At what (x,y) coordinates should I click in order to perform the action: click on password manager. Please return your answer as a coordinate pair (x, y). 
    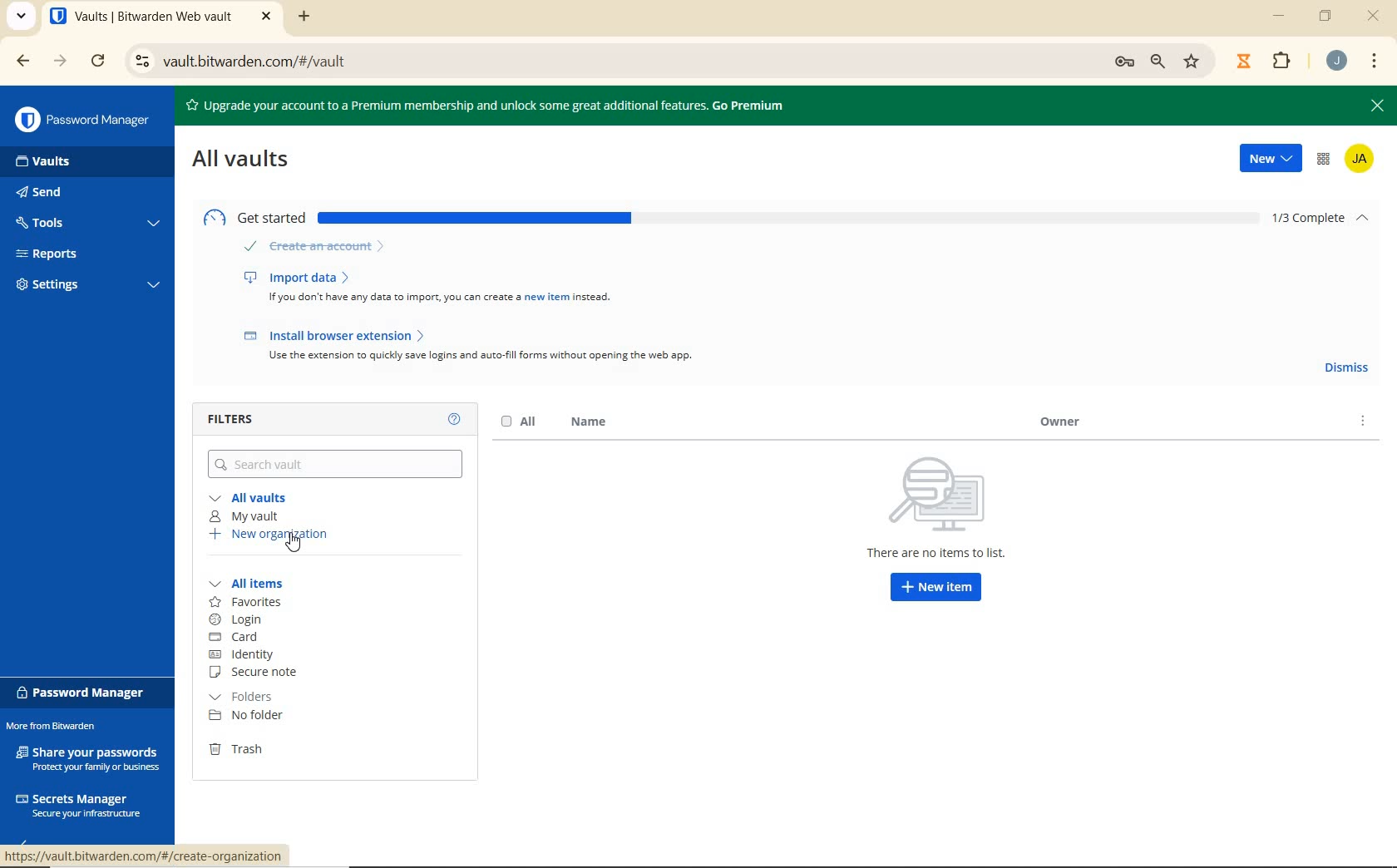
    Looking at the image, I should click on (84, 693).